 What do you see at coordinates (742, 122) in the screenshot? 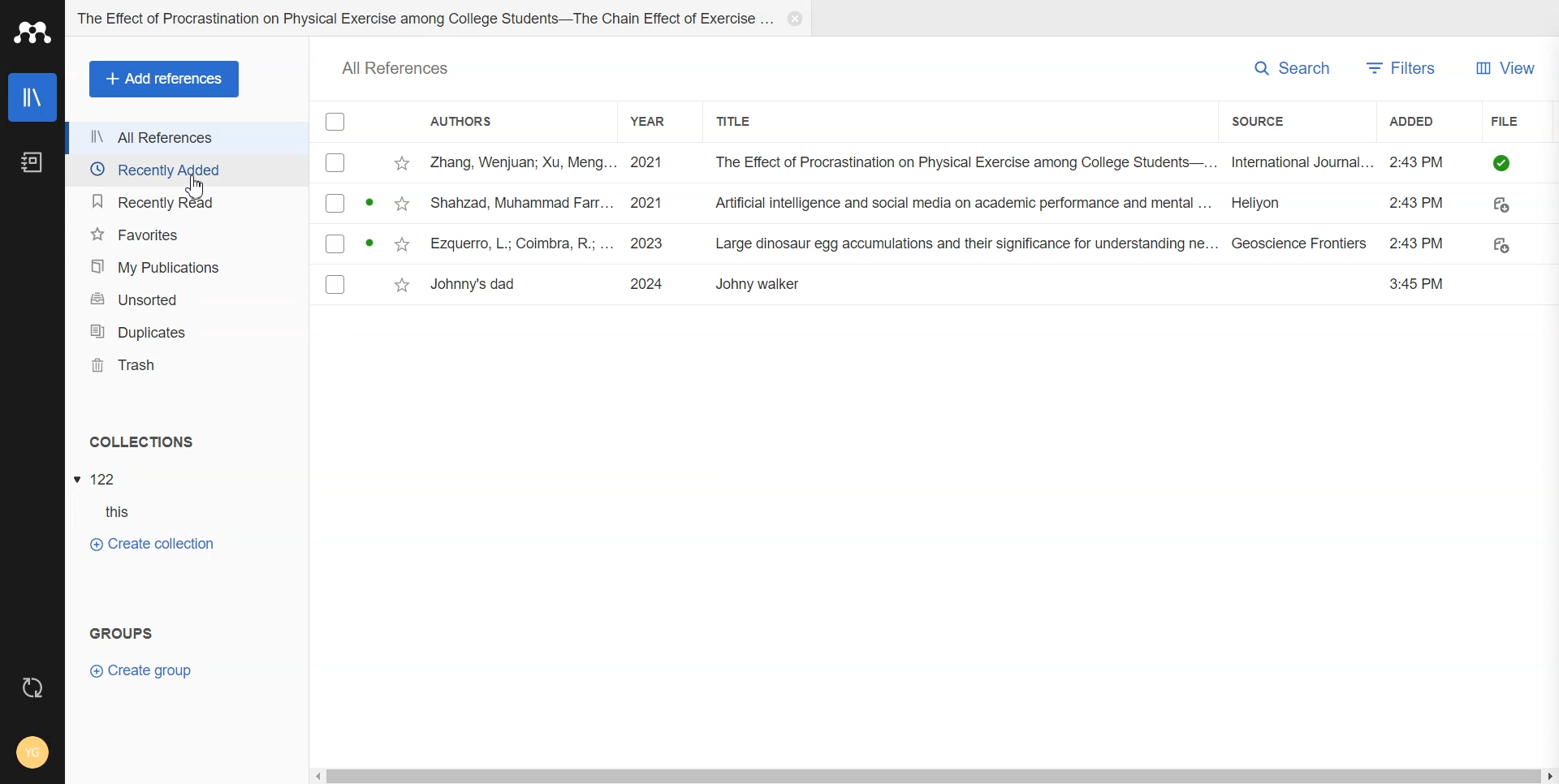
I see `Title` at bounding box center [742, 122].